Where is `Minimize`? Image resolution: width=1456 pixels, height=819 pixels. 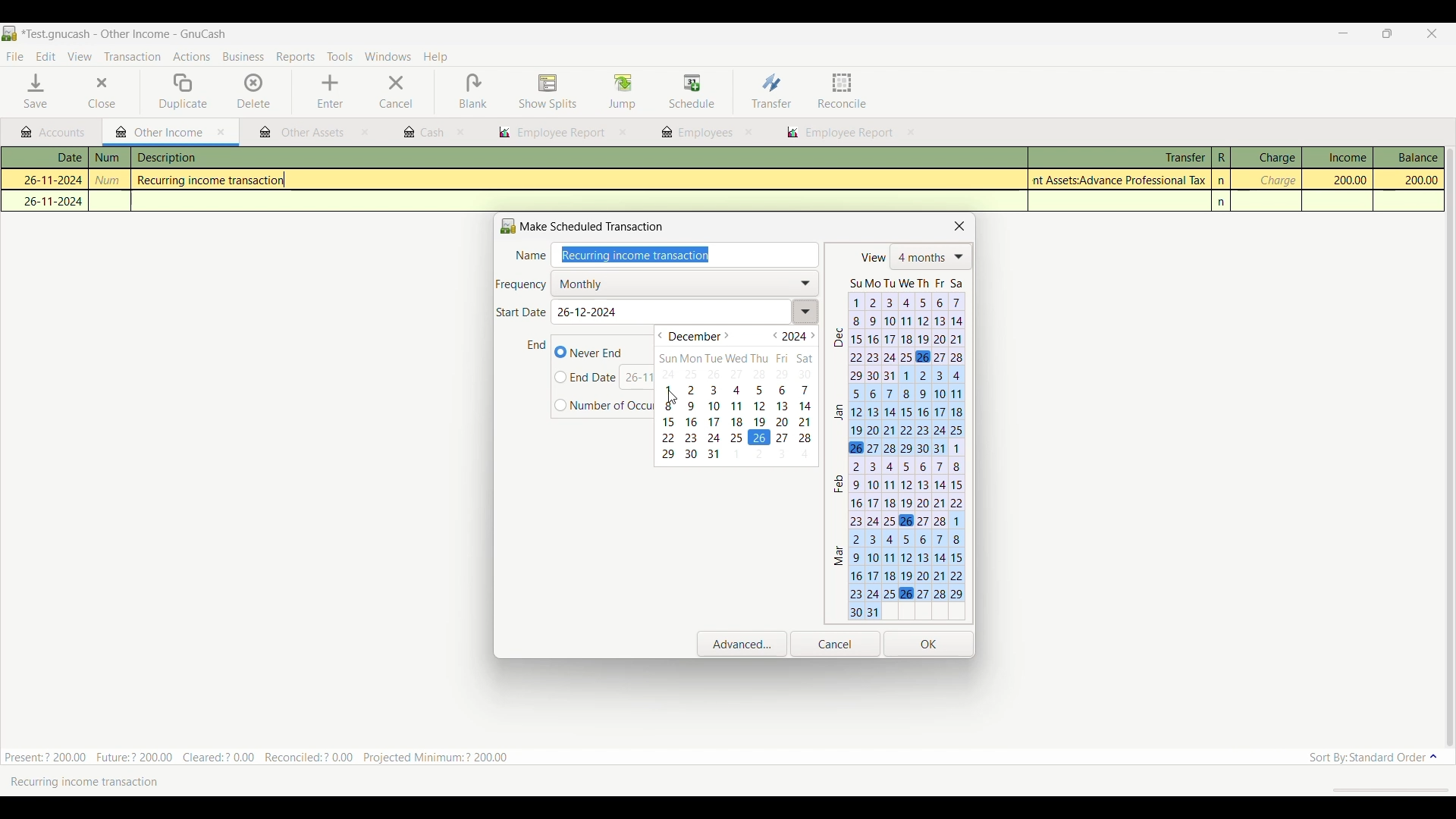 Minimize is located at coordinates (1338, 34).